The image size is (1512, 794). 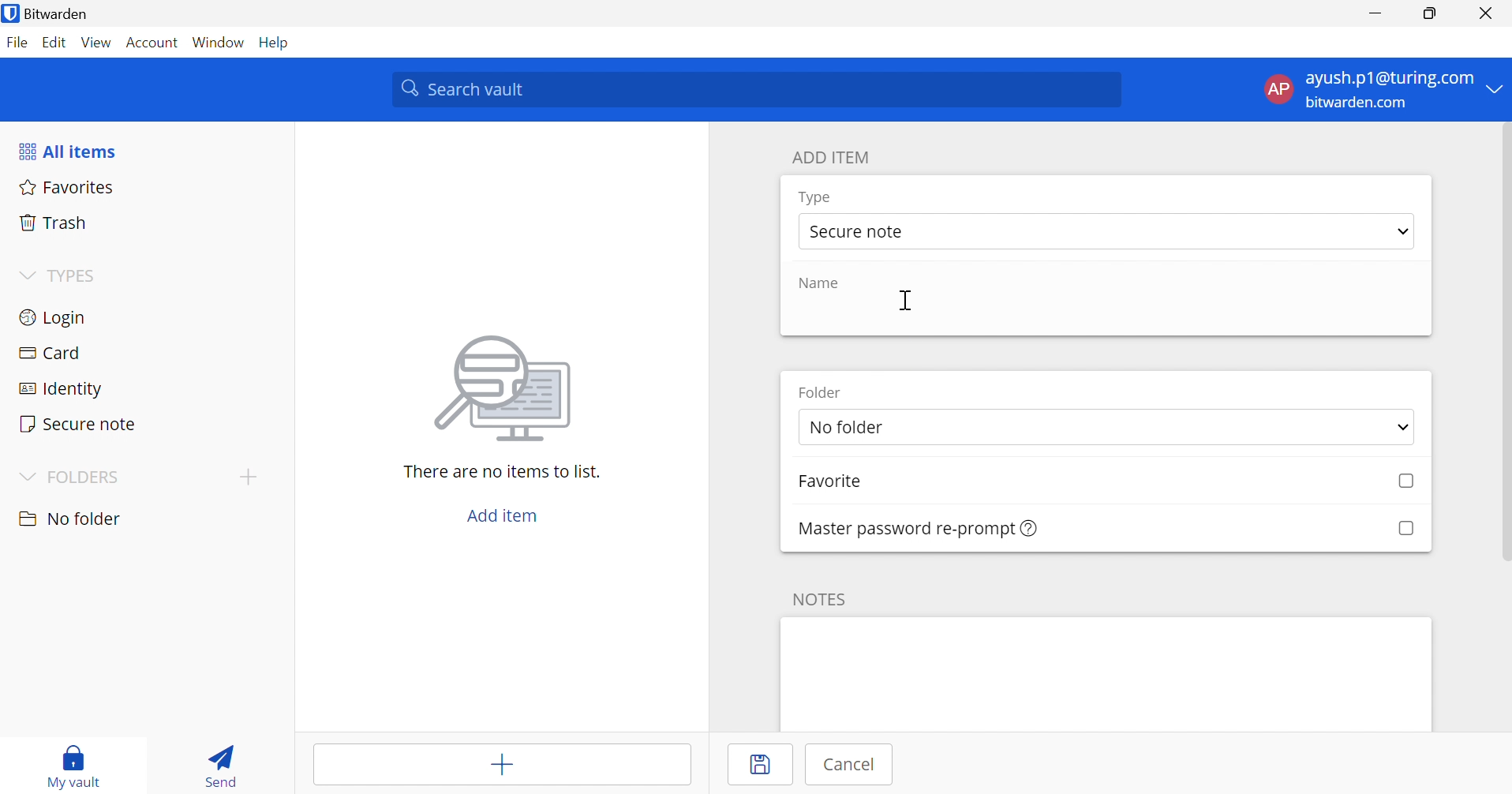 What do you see at coordinates (1389, 79) in the screenshot?
I see `ayush.p1@turing.com` at bounding box center [1389, 79].